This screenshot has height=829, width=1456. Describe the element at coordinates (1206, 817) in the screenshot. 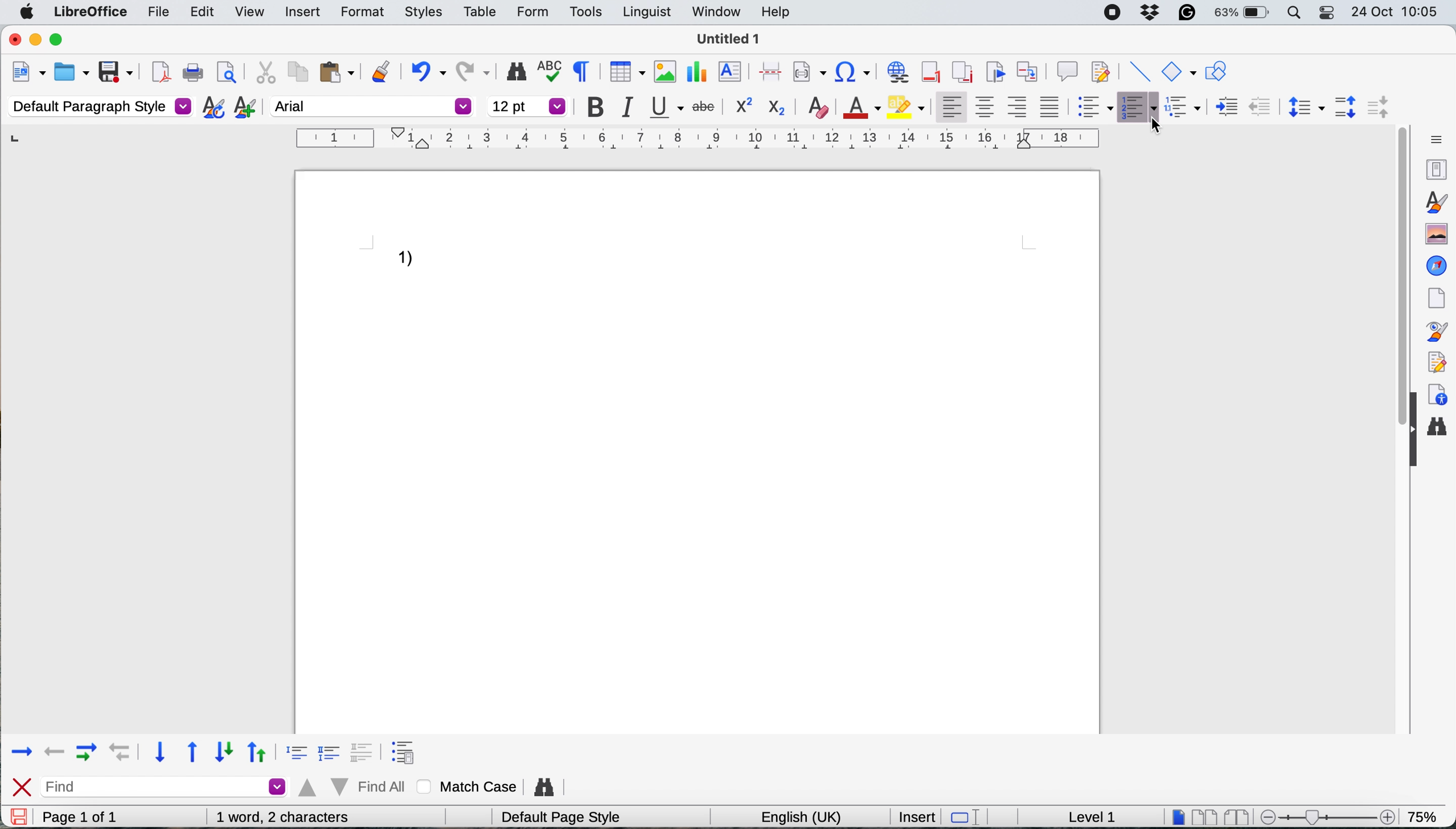

I see `multipage view` at that location.